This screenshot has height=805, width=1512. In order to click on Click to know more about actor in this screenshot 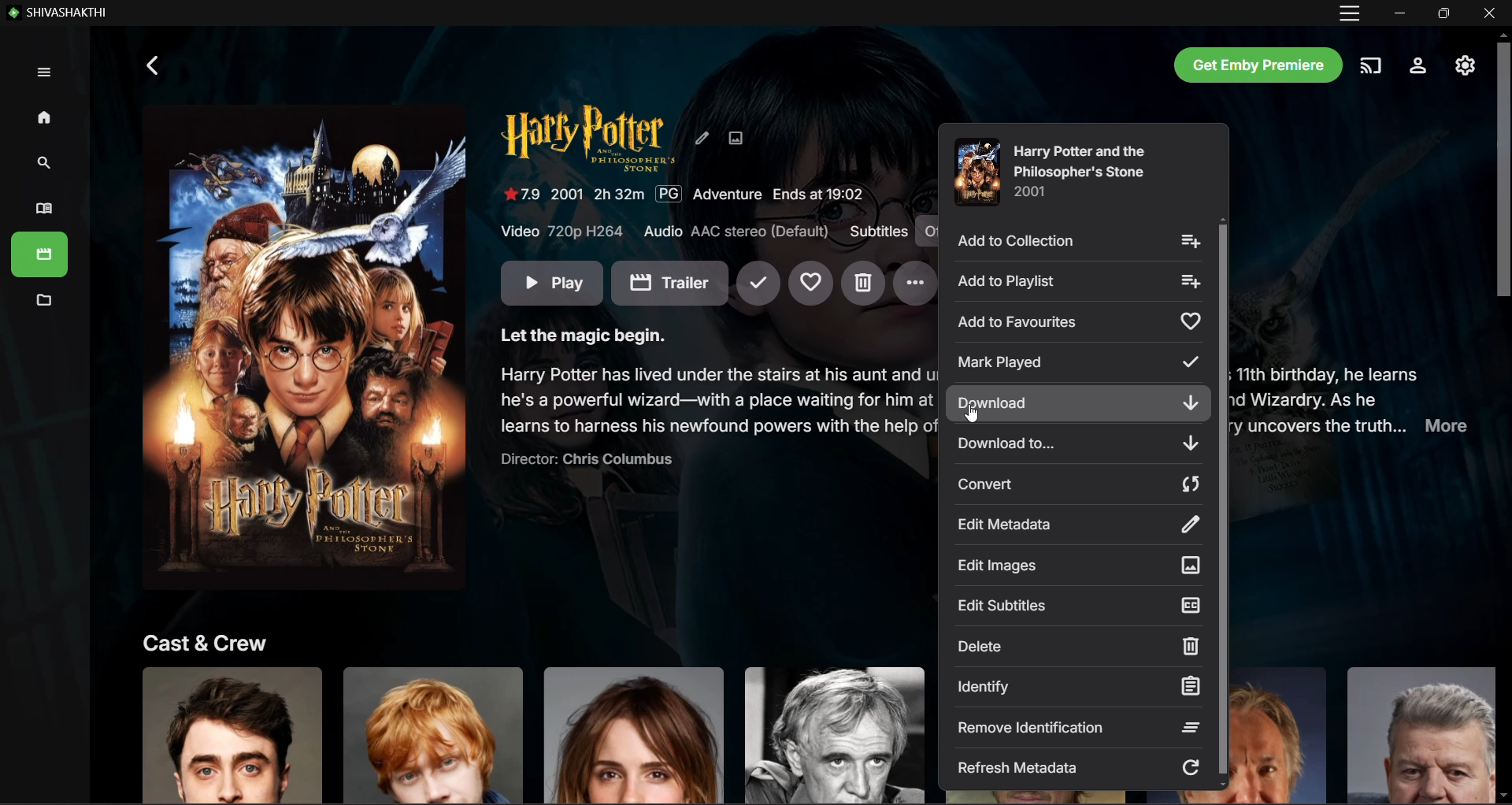, I will do `click(634, 734)`.